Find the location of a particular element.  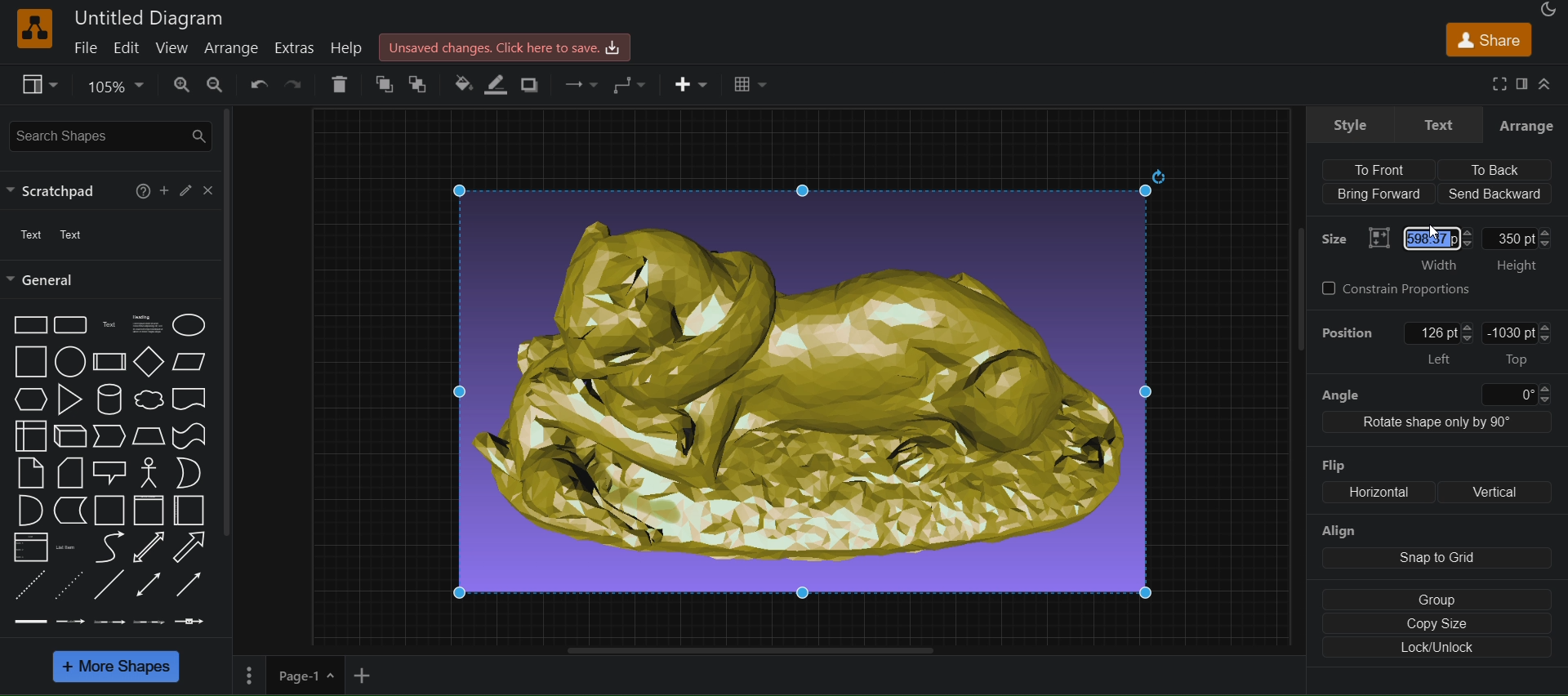

arrange is located at coordinates (233, 49).